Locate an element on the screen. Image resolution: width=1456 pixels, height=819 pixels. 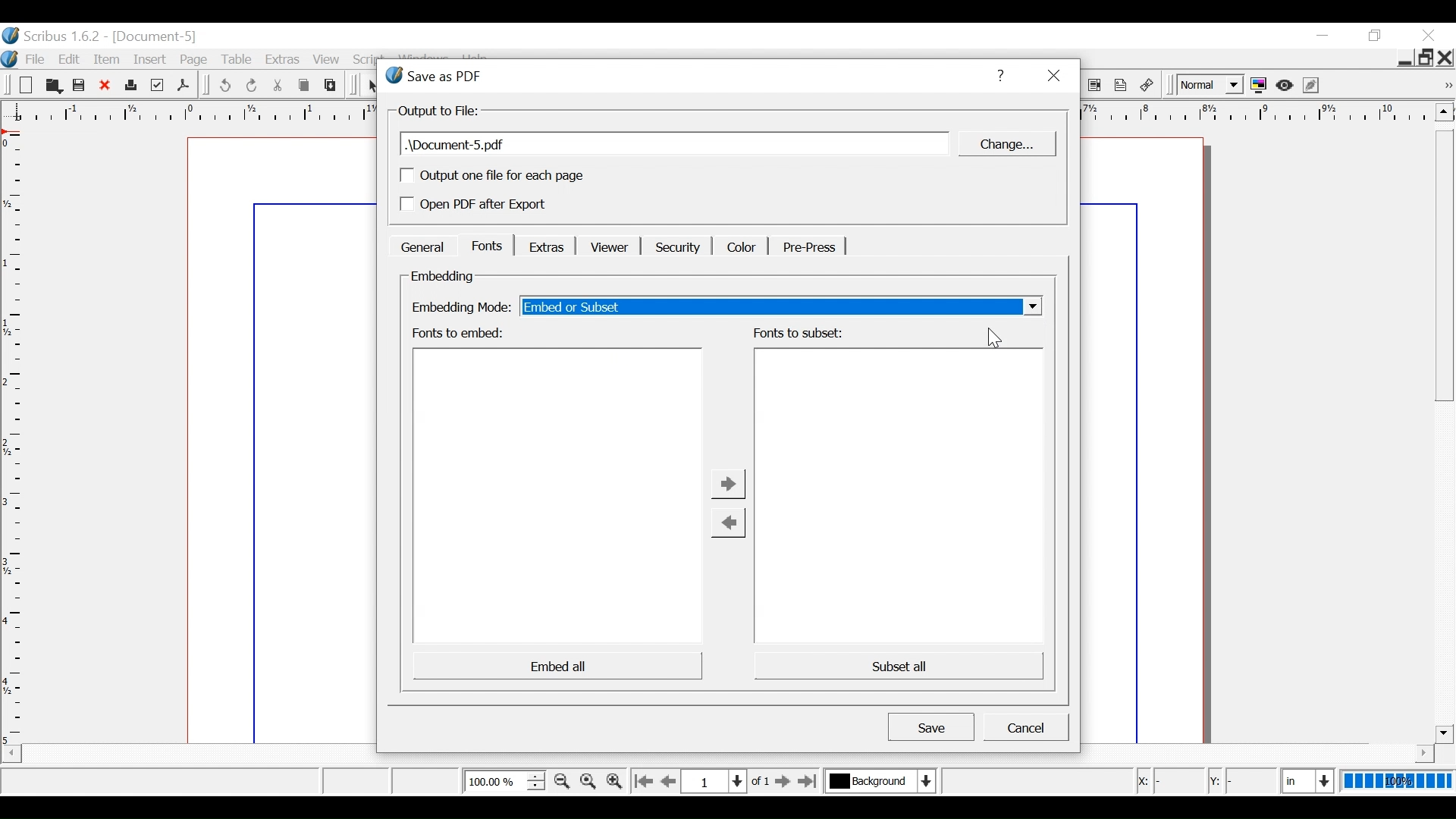
Table is located at coordinates (240, 61).